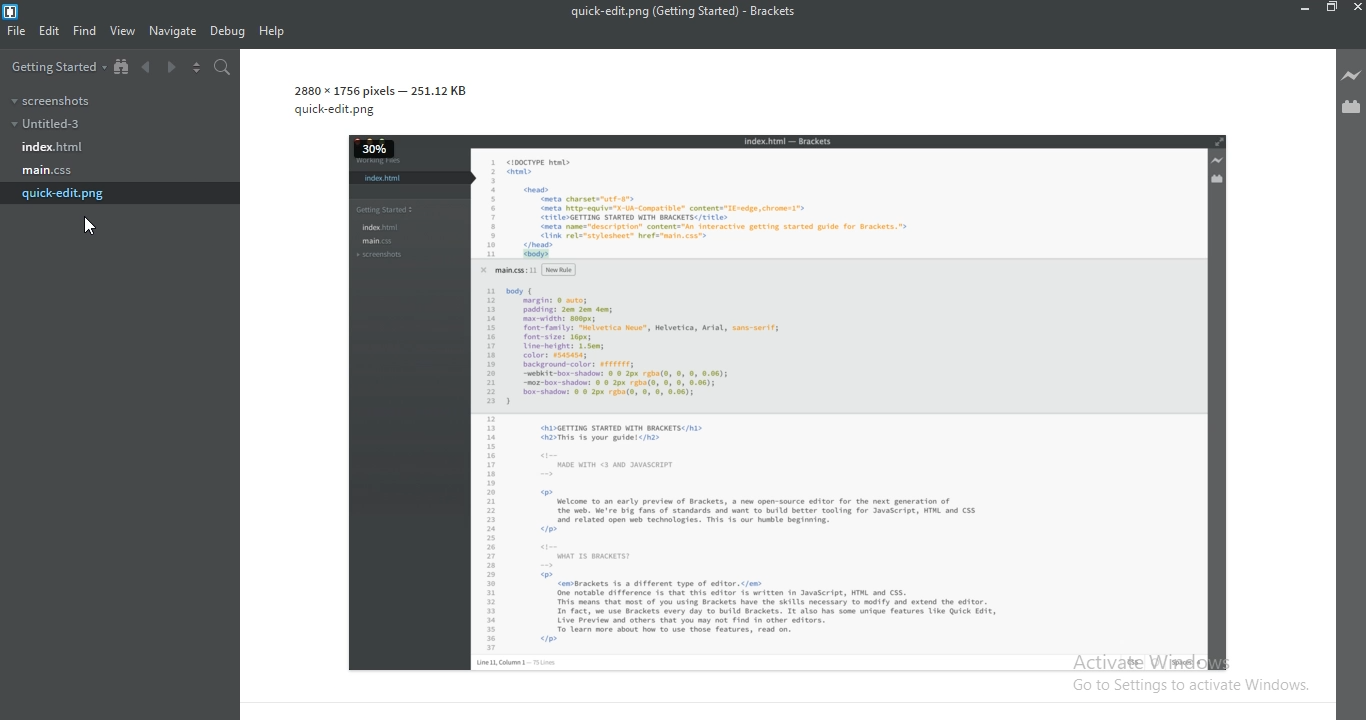 Image resolution: width=1366 pixels, height=720 pixels. What do you see at coordinates (1351, 74) in the screenshot?
I see `livepreview` at bounding box center [1351, 74].